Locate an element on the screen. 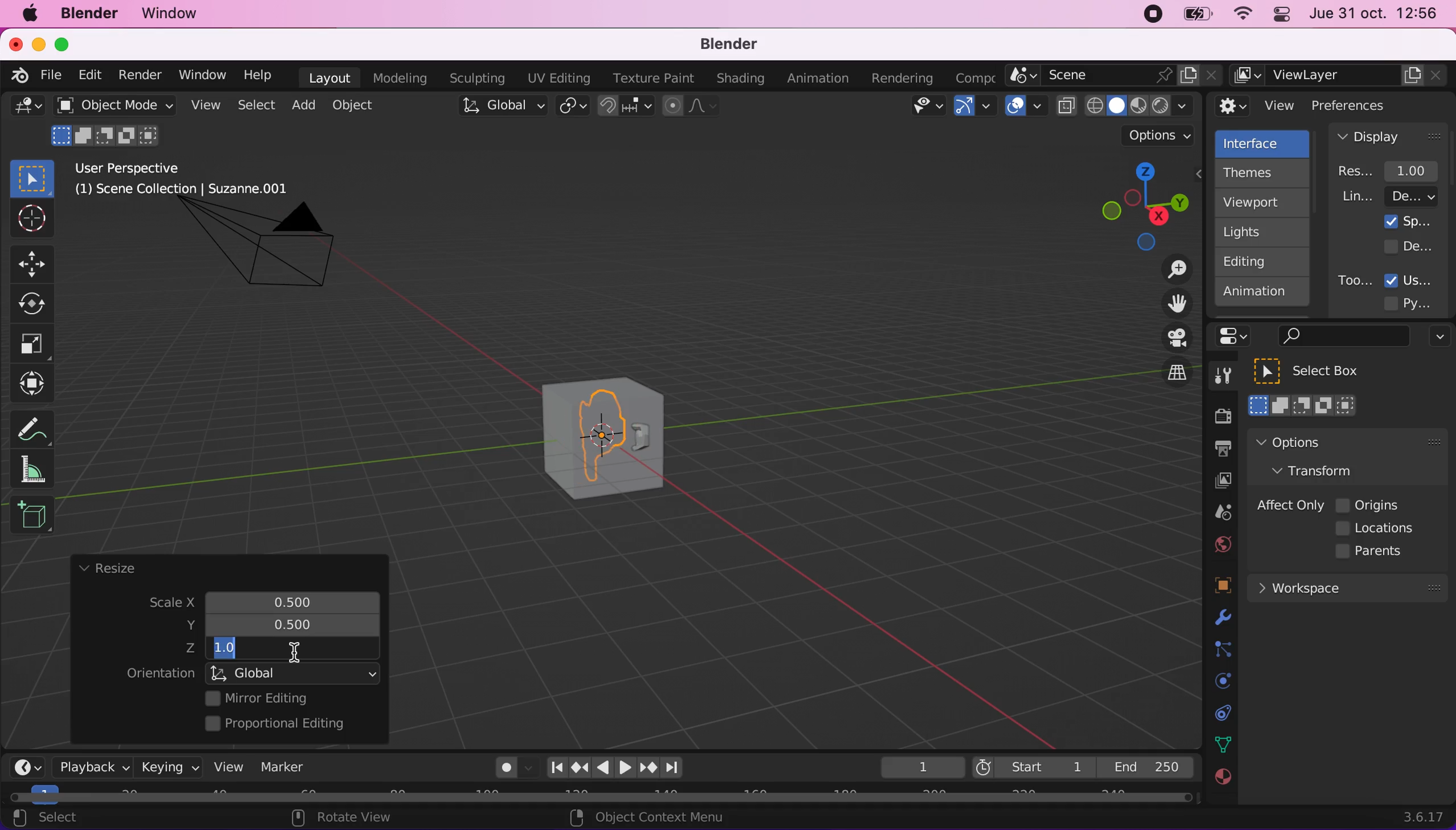 The width and height of the screenshot is (1456, 830).  is located at coordinates (30, 219).